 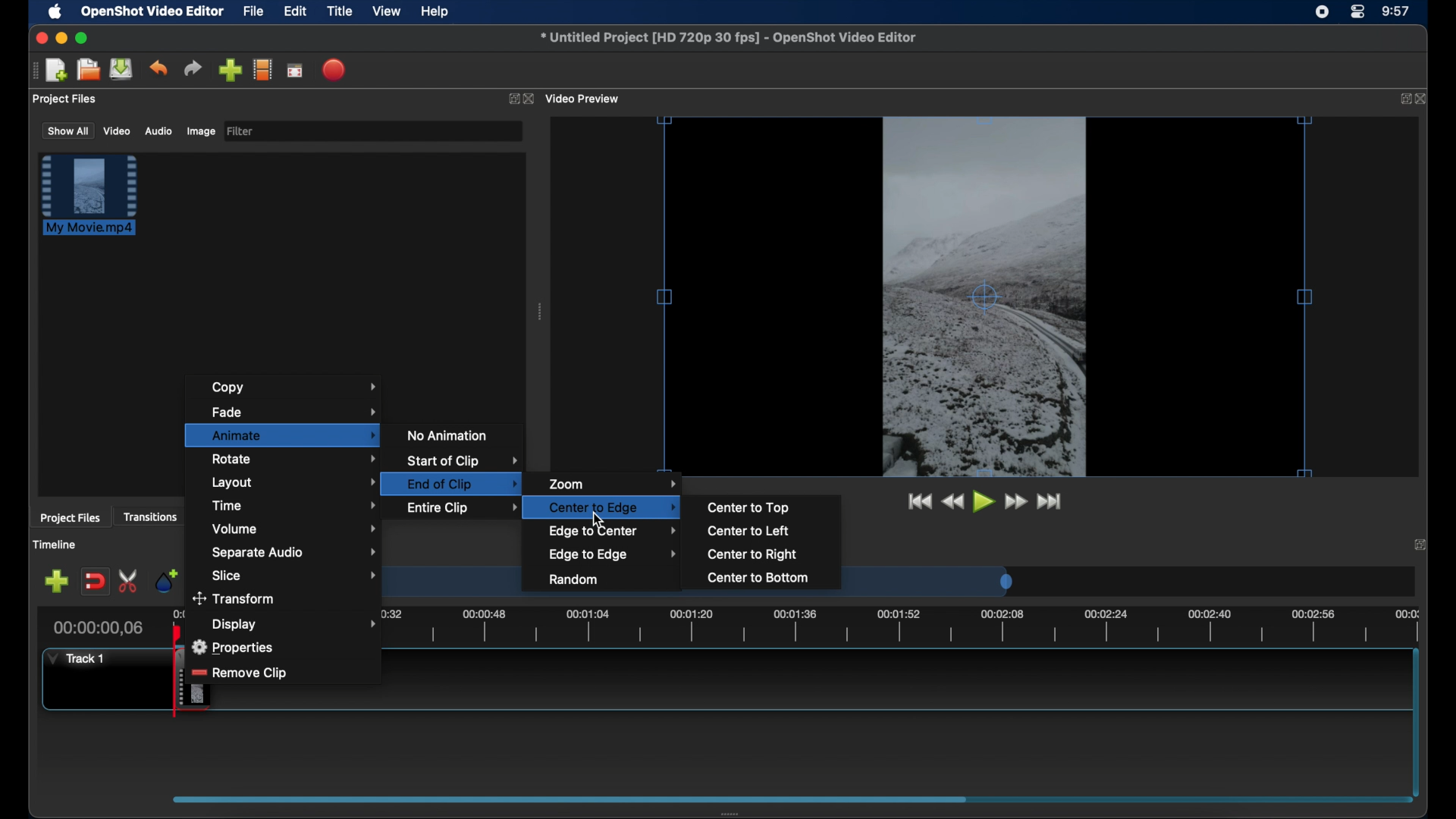 What do you see at coordinates (1017, 502) in the screenshot?
I see `fast forward` at bounding box center [1017, 502].